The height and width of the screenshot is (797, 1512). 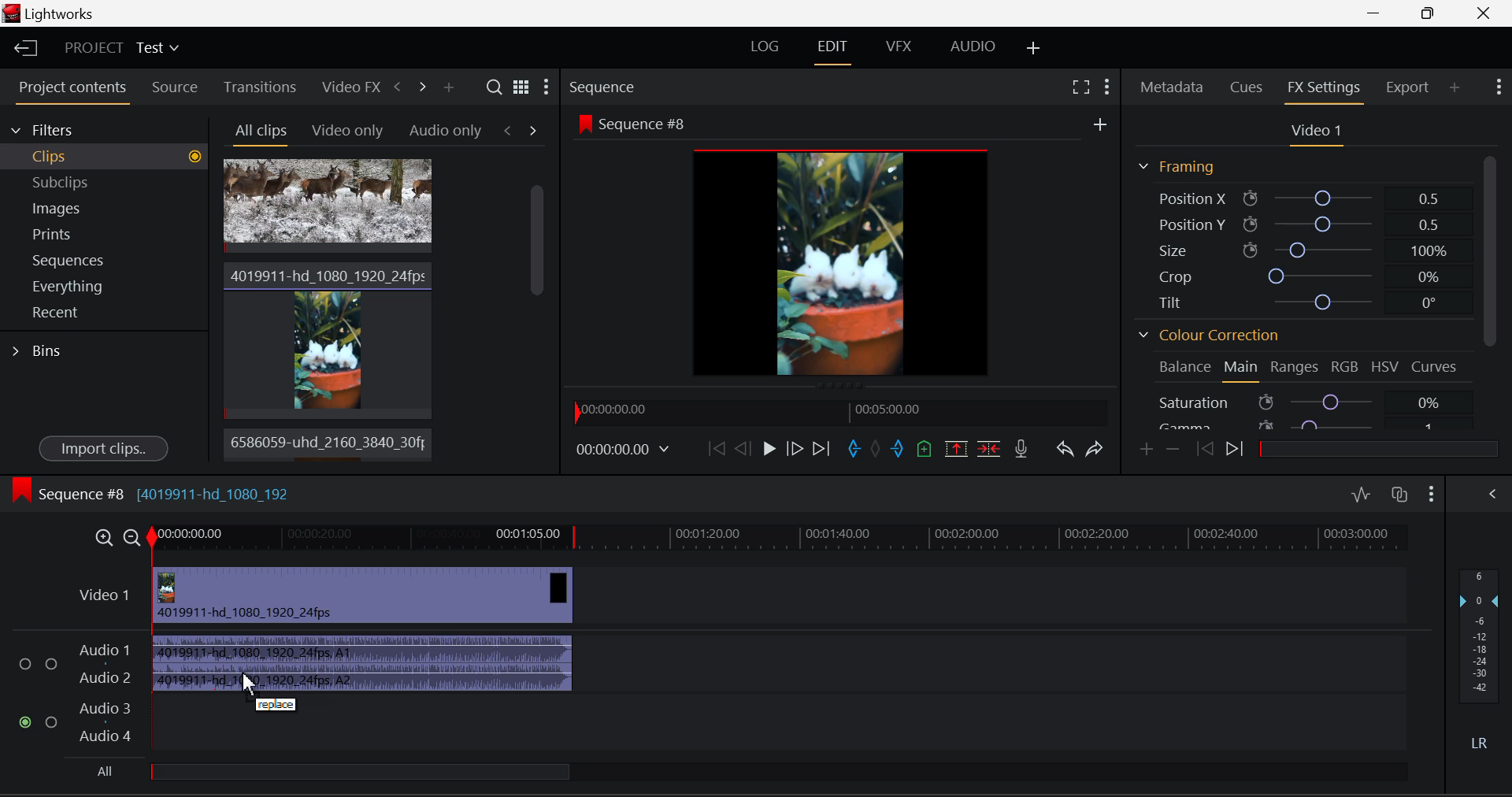 What do you see at coordinates (1181, 369) in the screenshot?
I see `Balance` at bounding box center [1181, 369].